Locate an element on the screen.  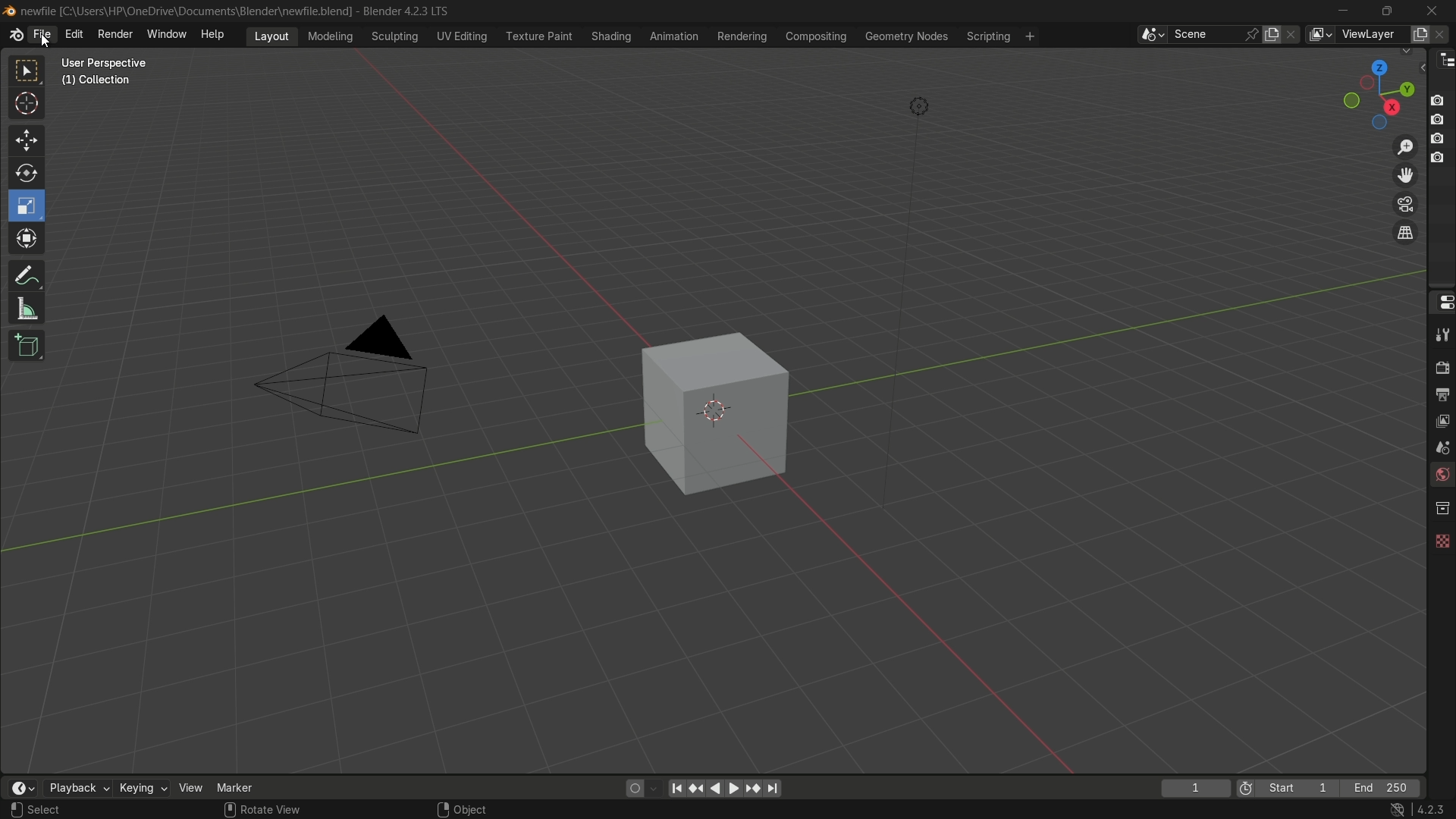
select box is located at coordinates (28, 71).